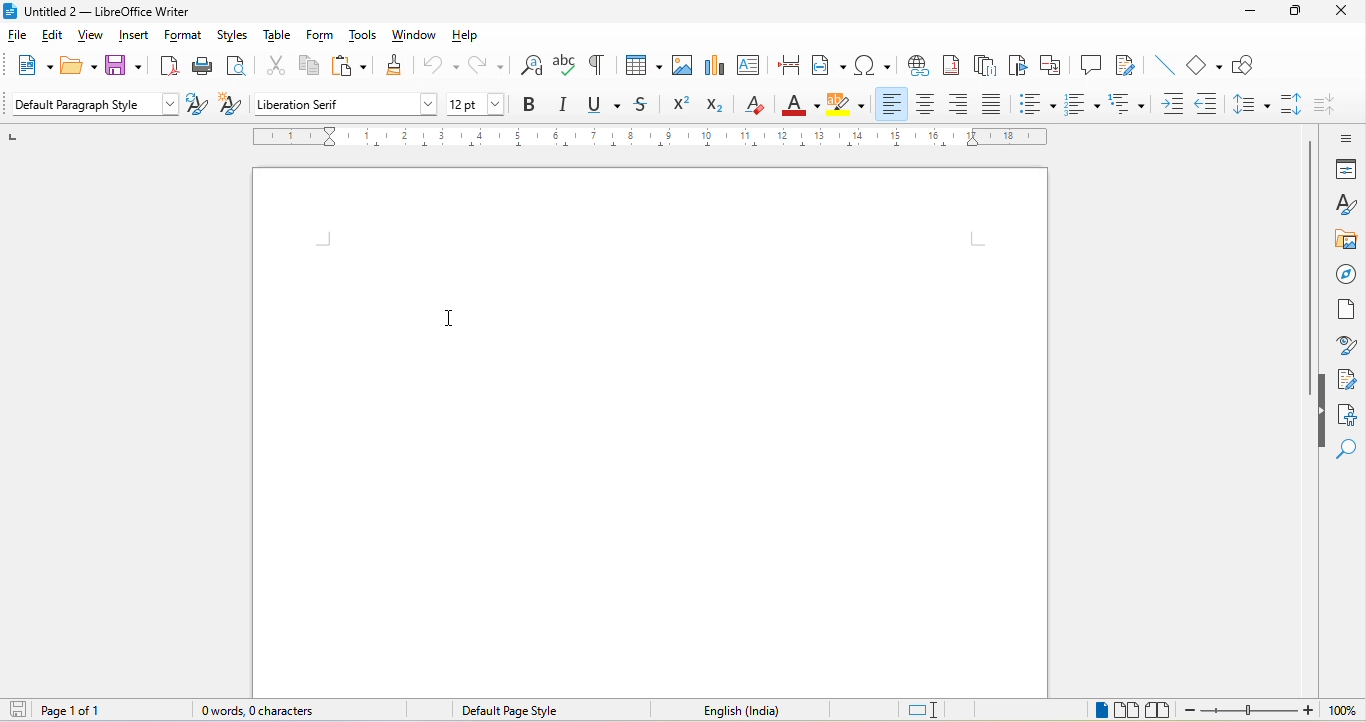  What do you see at coordinates (917, 68) in the screenshot?
I see `hyperlink` at bounding box center [917, 68].